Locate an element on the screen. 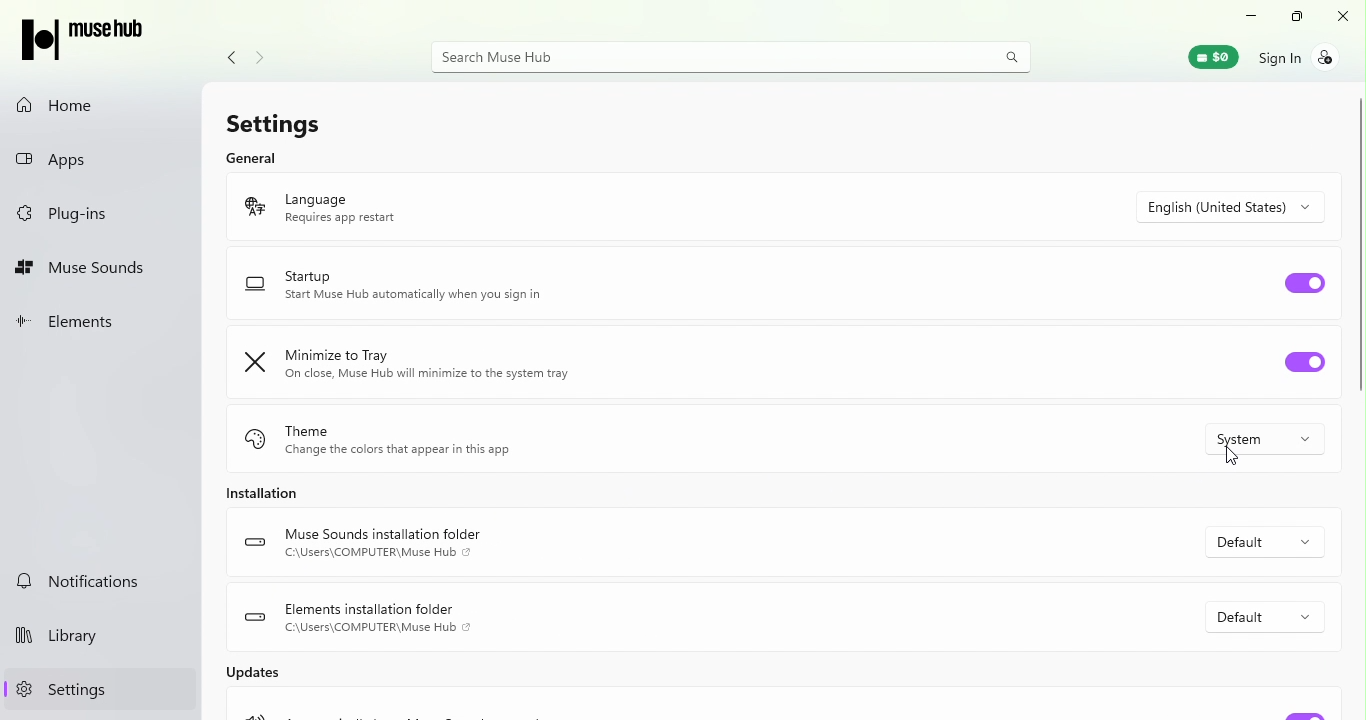  Toggle startup is located at coordinates (1306, 283).